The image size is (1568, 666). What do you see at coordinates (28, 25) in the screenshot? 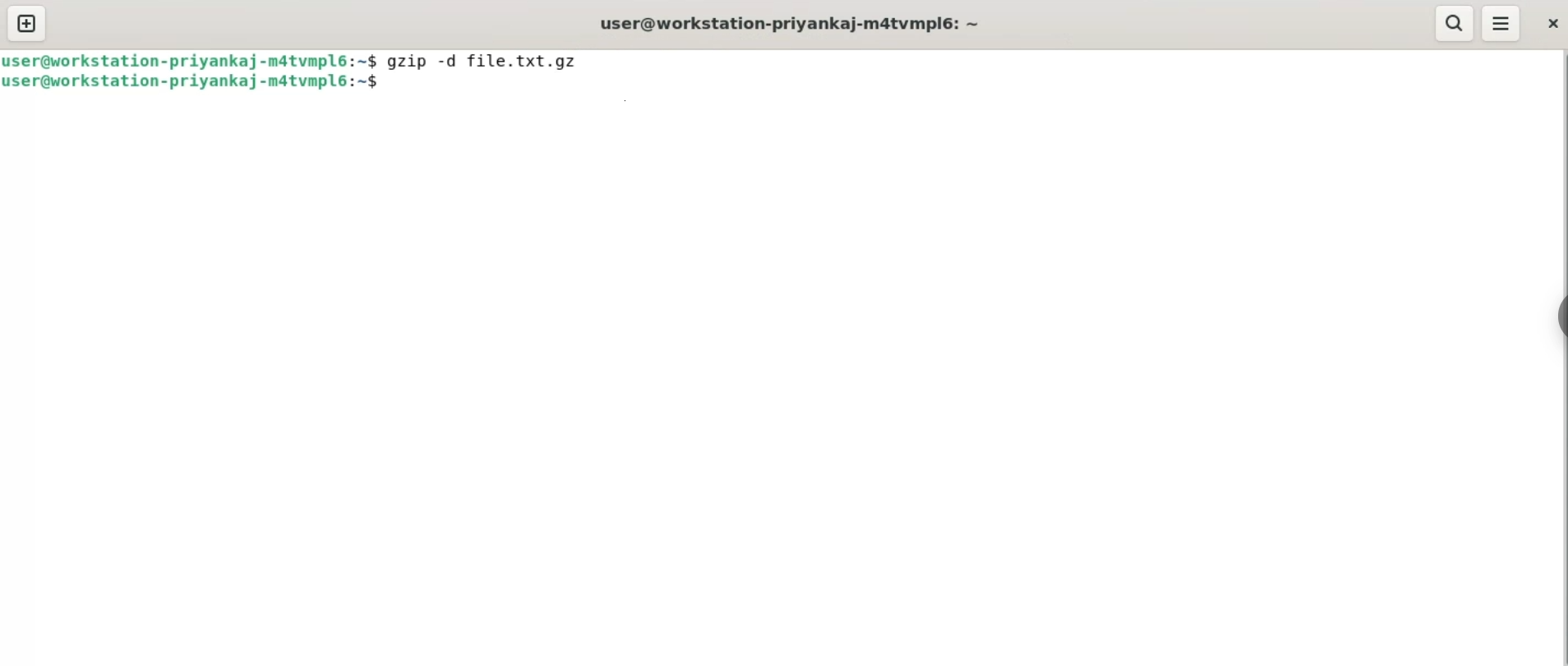
I see `new tab` at bounding box center [28, 25].